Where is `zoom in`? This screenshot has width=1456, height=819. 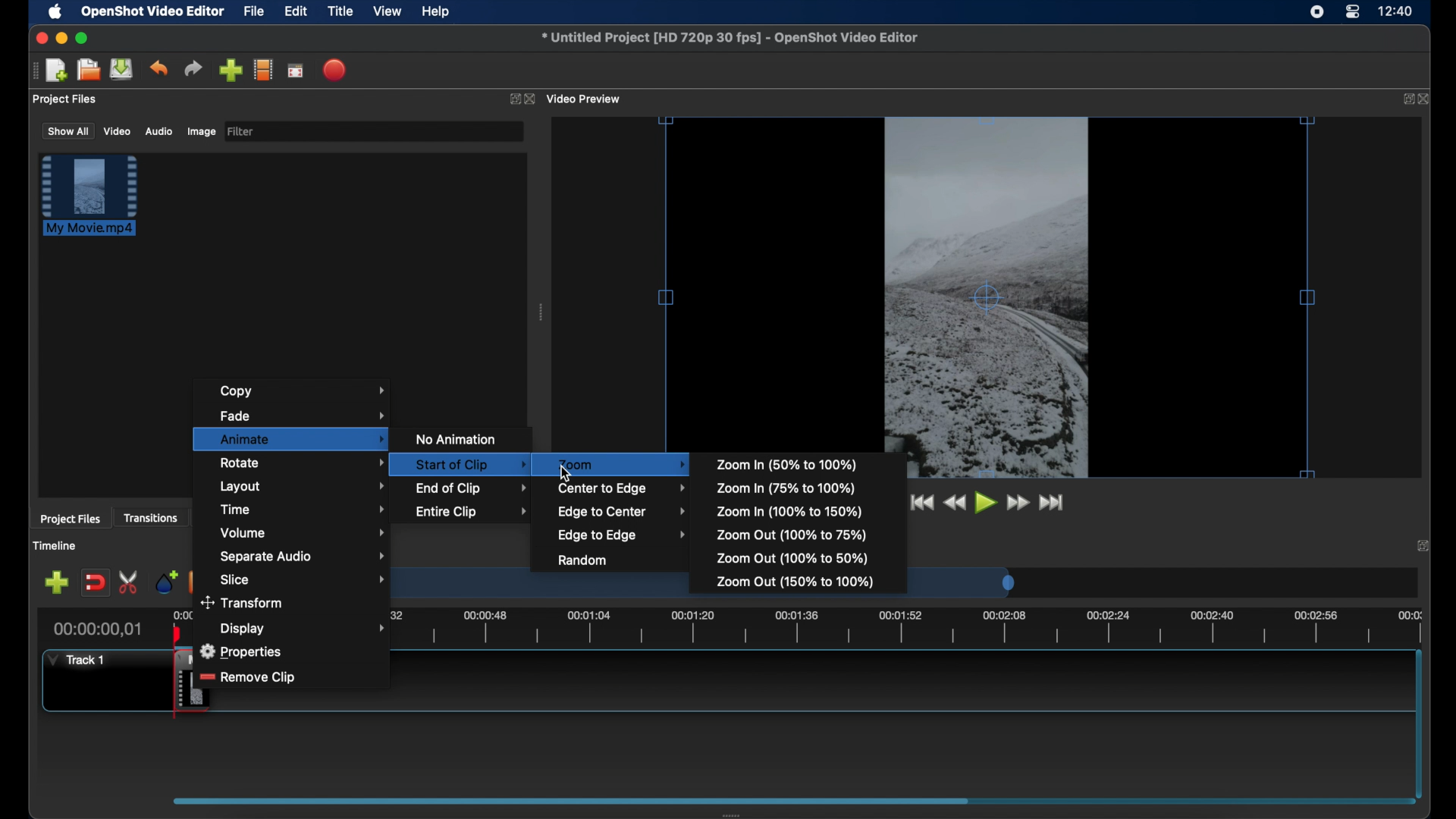 zoom in is located at coordinates (786, 488).